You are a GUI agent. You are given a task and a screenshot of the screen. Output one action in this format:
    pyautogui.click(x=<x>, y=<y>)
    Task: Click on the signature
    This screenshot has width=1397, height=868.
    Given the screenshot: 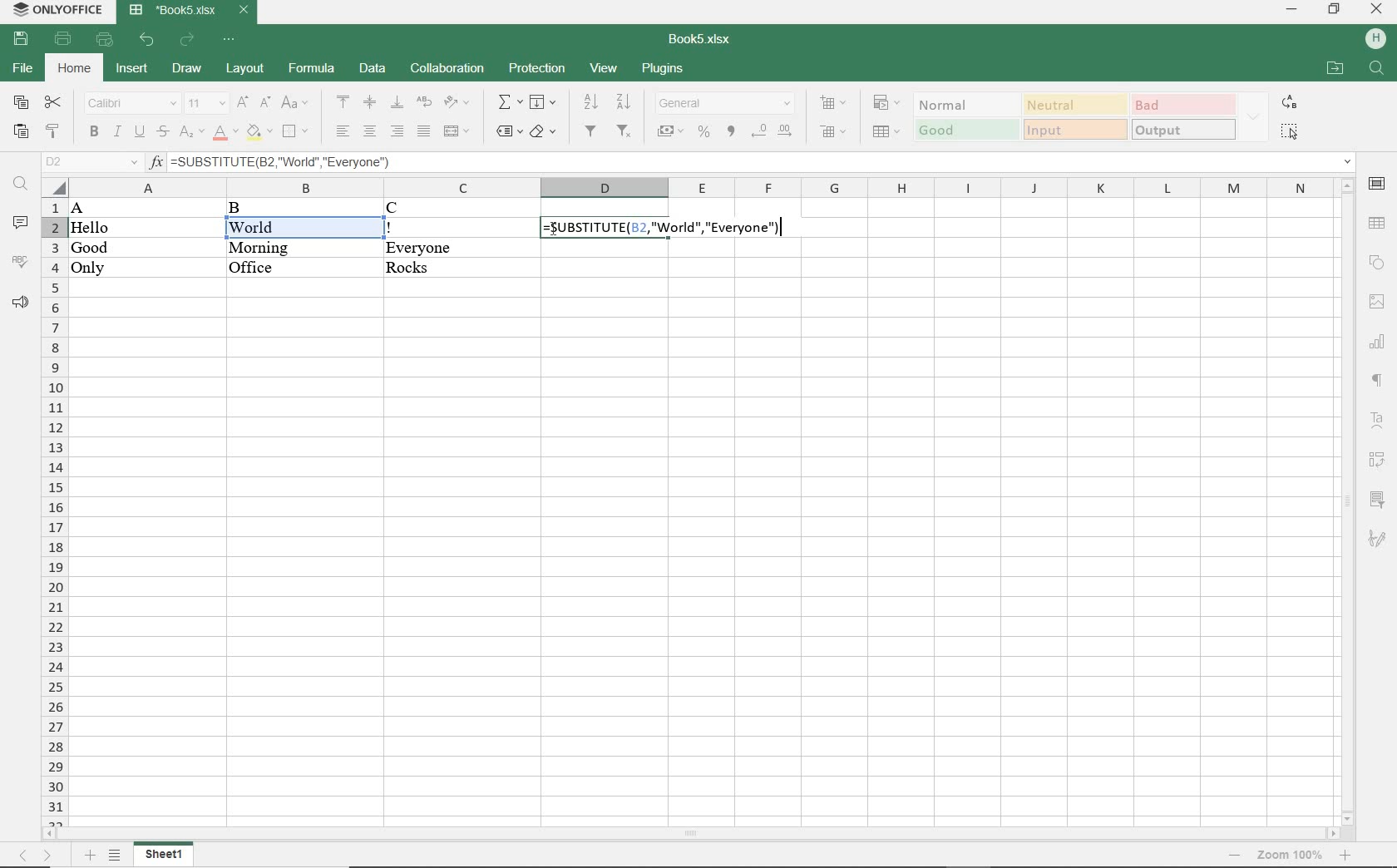 What is the action you would take?
    pyautogui.click(x=1379, y=535)
    